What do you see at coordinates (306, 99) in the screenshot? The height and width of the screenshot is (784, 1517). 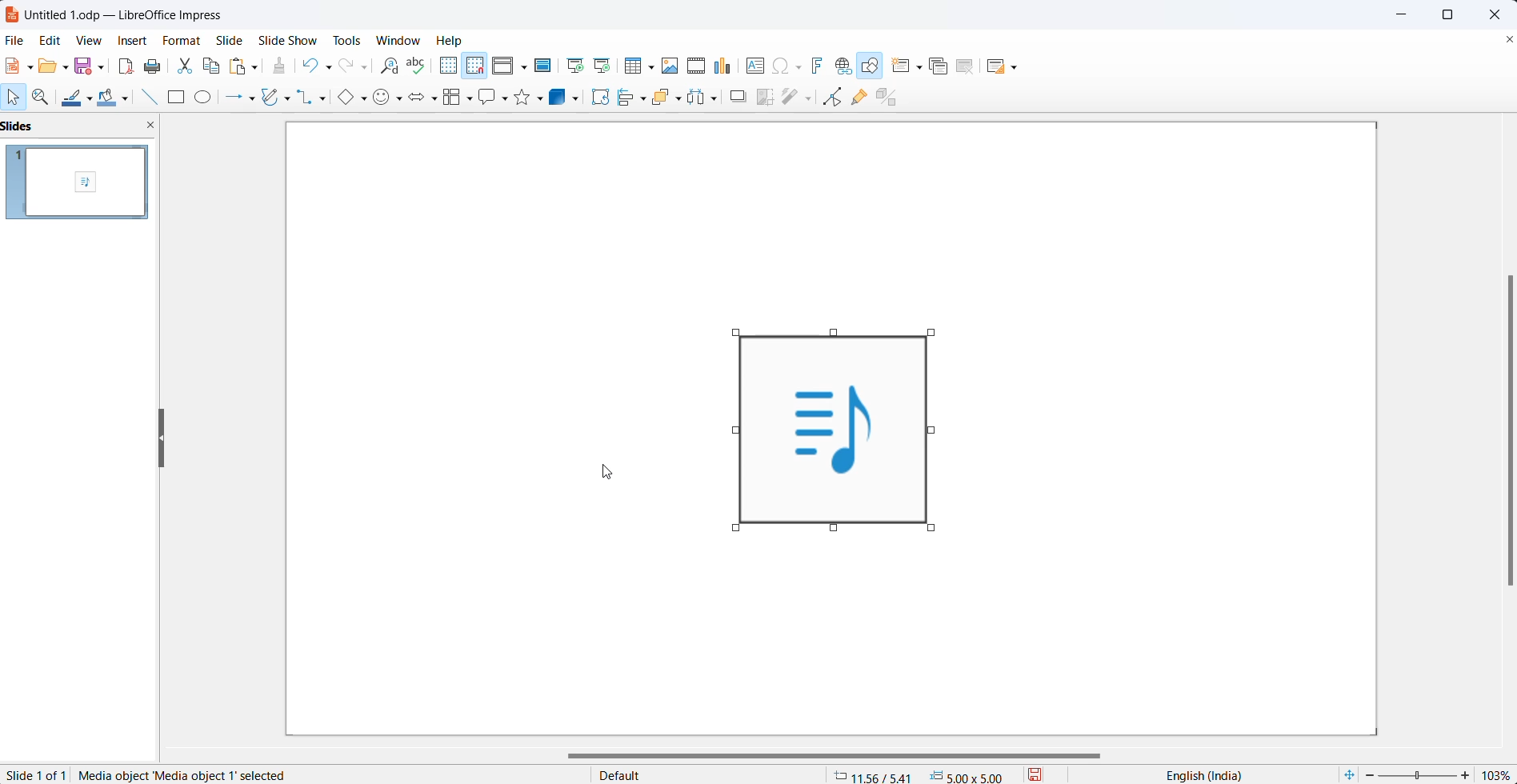 I see `connectors` at bounding box center [306, 99].